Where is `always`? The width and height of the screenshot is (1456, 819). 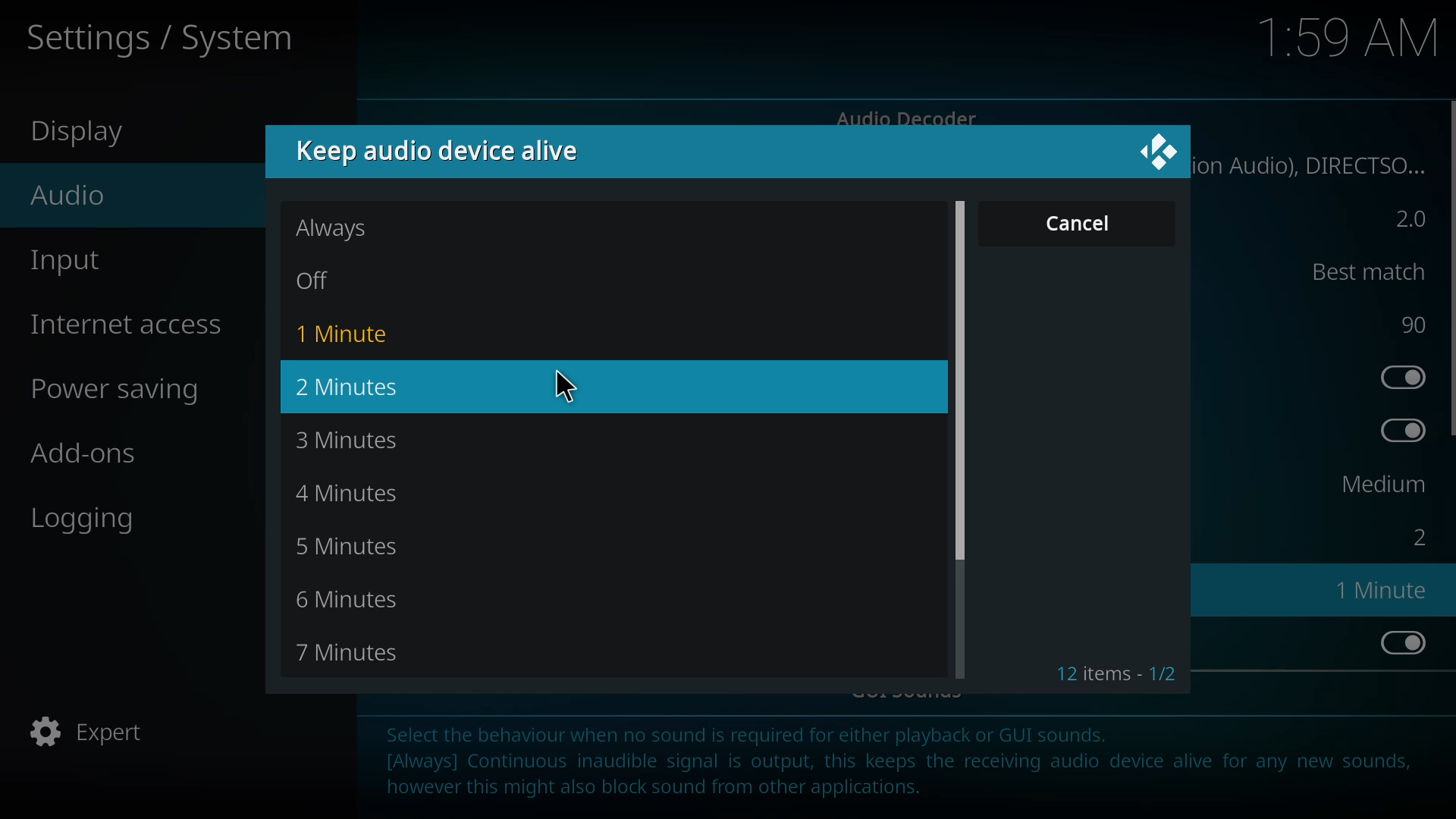
always is located at coordinates (335, 228).